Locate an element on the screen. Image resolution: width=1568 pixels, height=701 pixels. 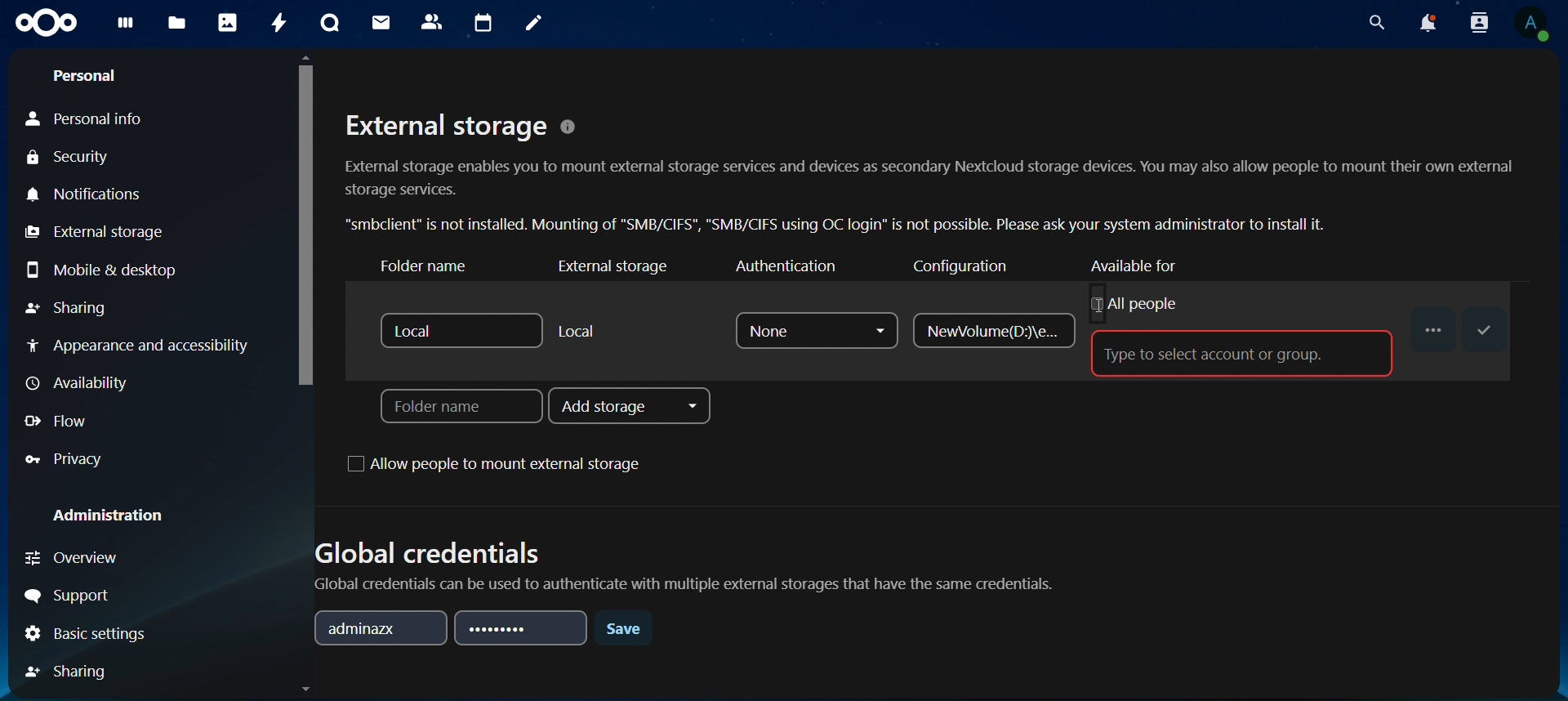
flow is located at coordinates (60, 422).